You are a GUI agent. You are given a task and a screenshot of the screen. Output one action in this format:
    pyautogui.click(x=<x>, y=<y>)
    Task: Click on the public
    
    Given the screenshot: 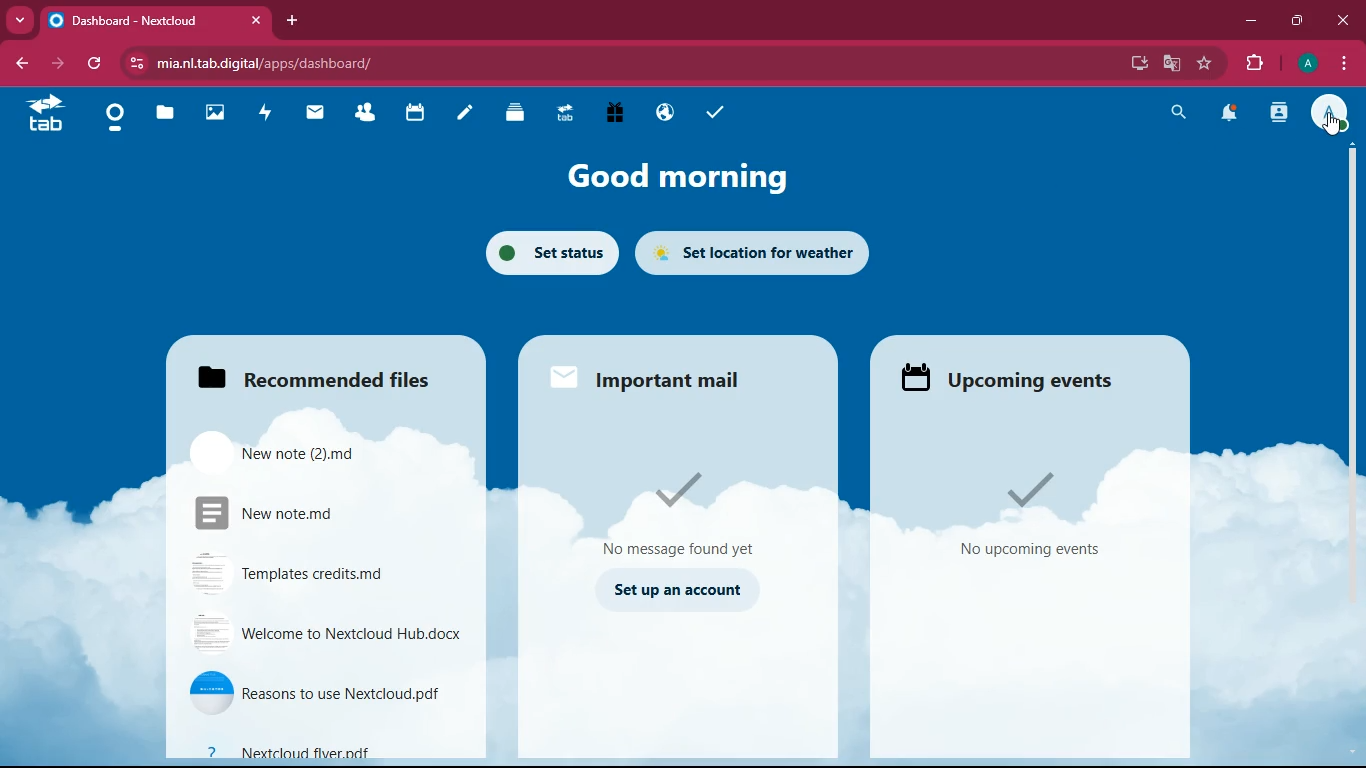 What is the action you would take?
    pyautogui.click(x=663, y=112)
    